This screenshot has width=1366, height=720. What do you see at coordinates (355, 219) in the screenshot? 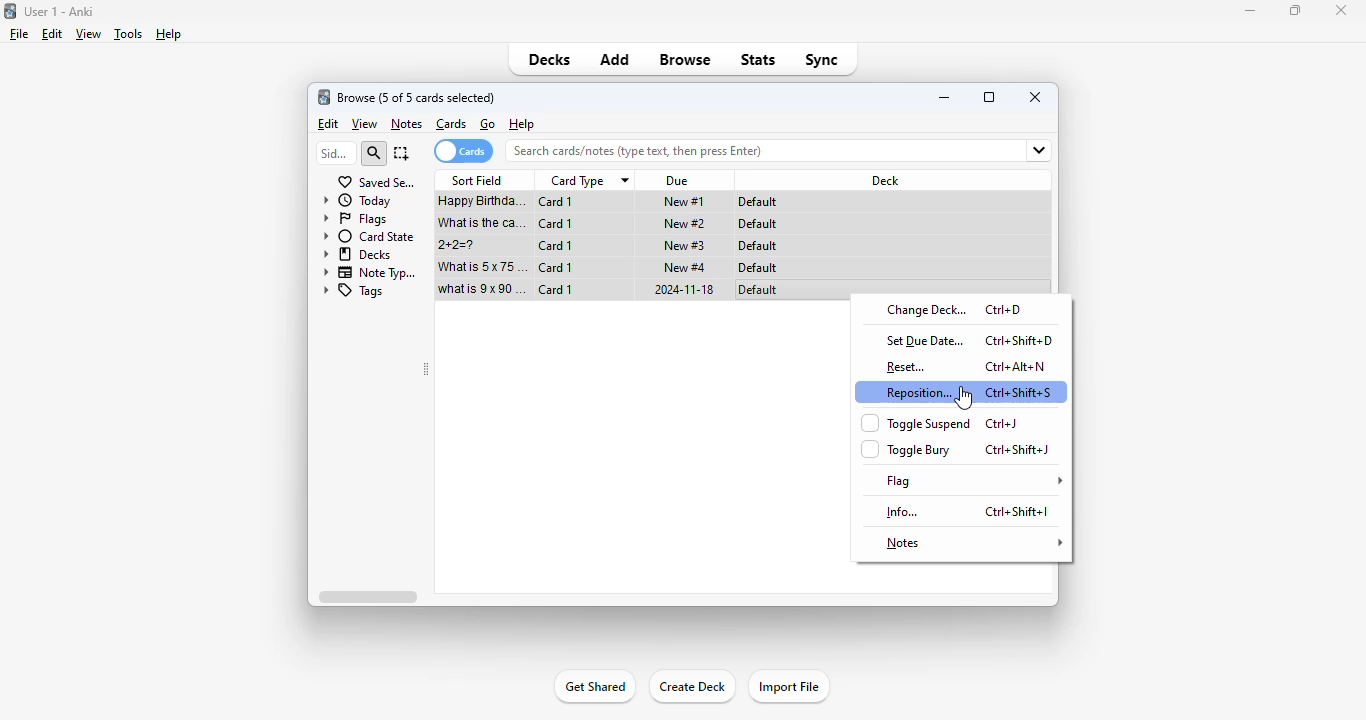
I see `flags` at bounding box center [355, 219].